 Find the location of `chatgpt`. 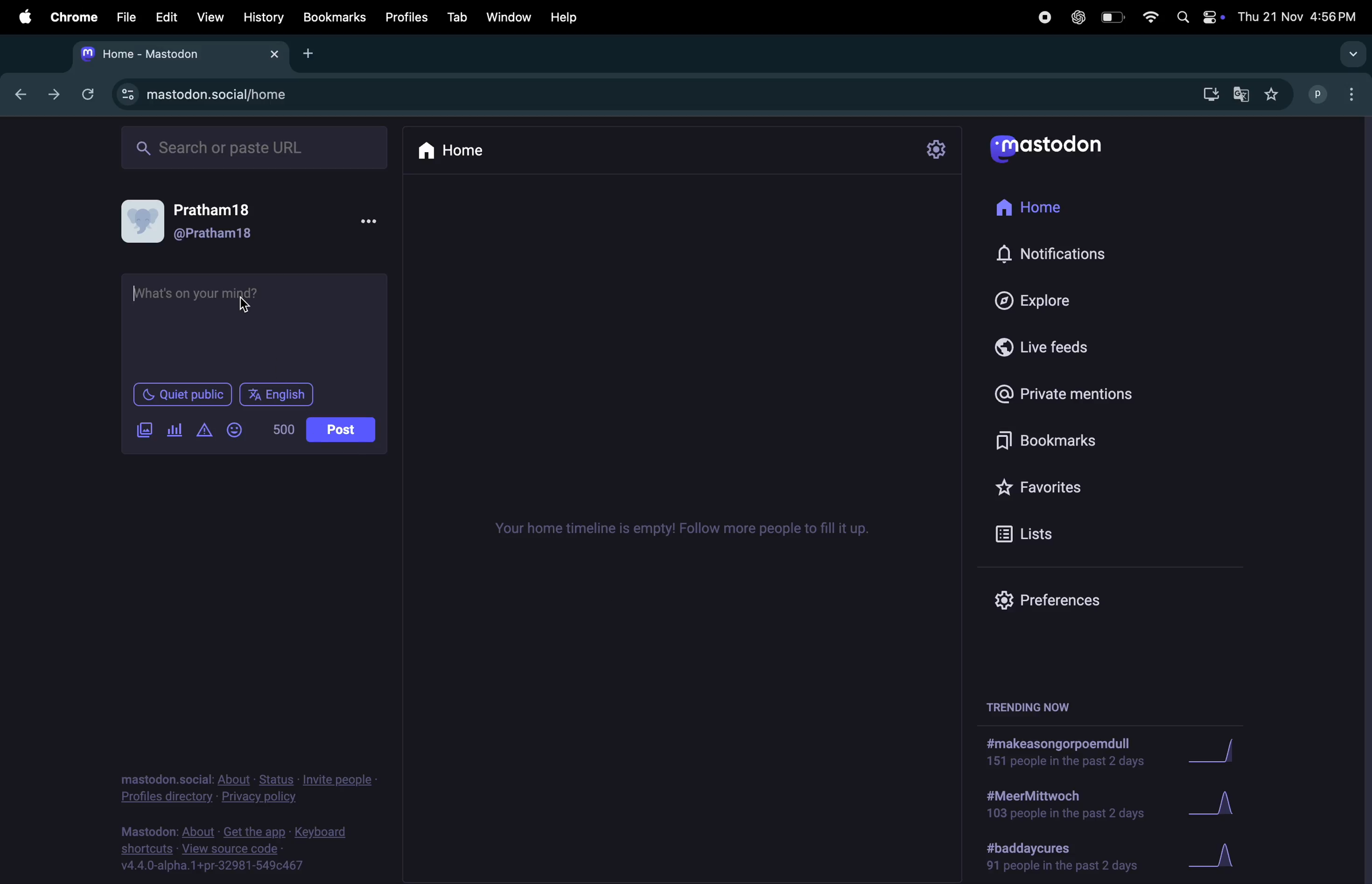

chatgpt is located at coordinates (1075, 17).